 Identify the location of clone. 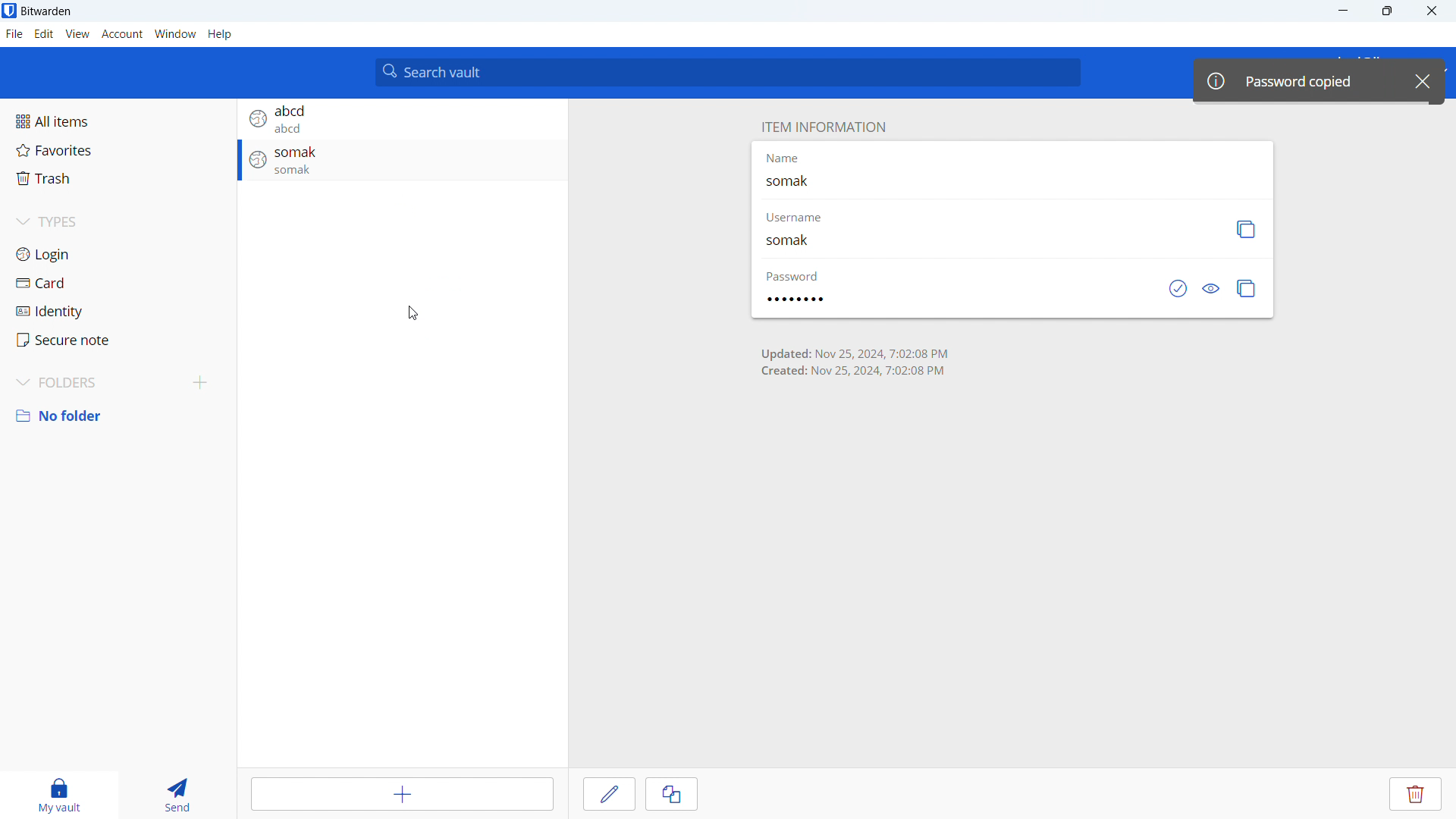
(435, 234).